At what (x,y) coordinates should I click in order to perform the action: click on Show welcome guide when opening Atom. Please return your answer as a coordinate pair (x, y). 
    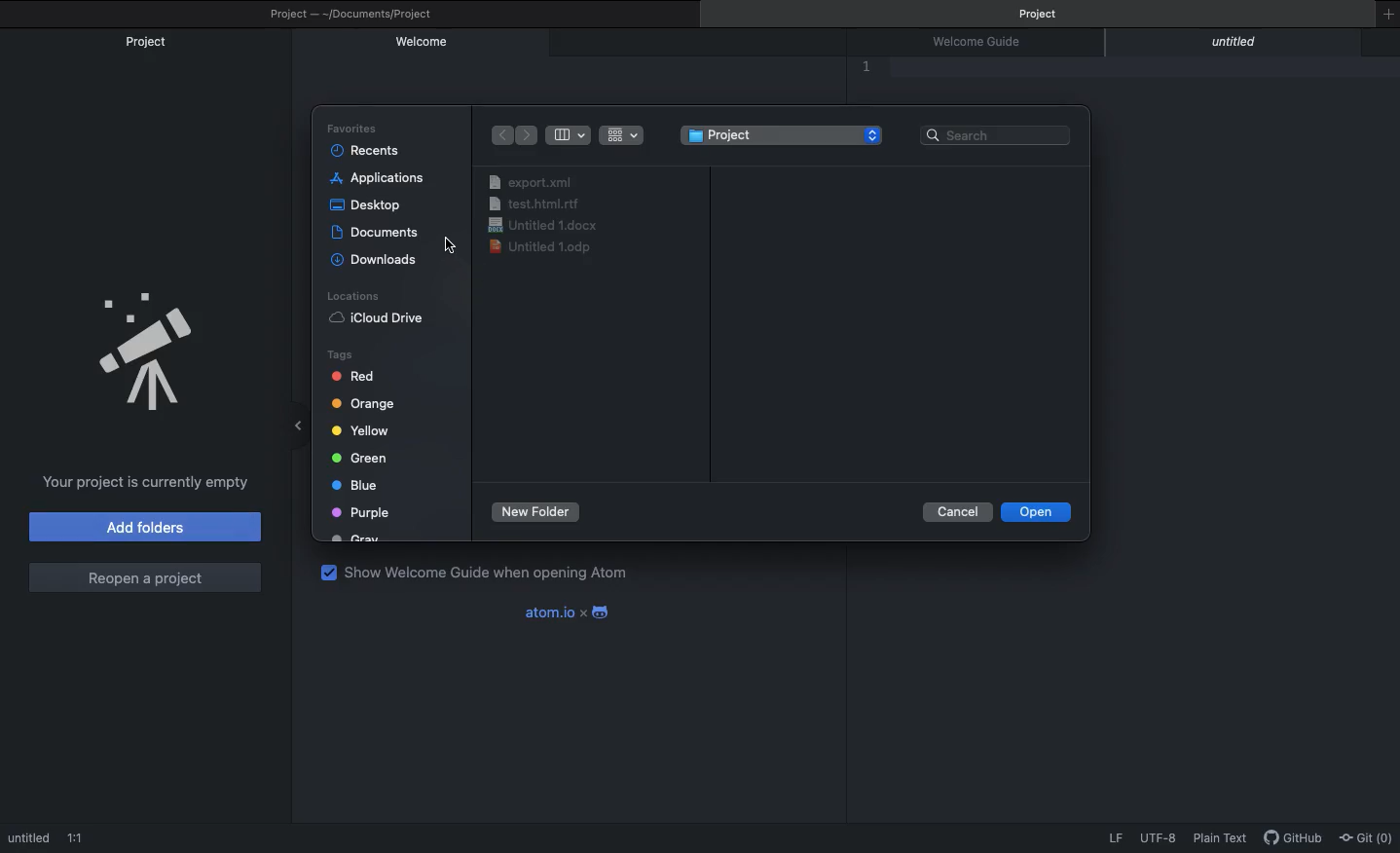
    Looking at the image, I should click on (481, 573).